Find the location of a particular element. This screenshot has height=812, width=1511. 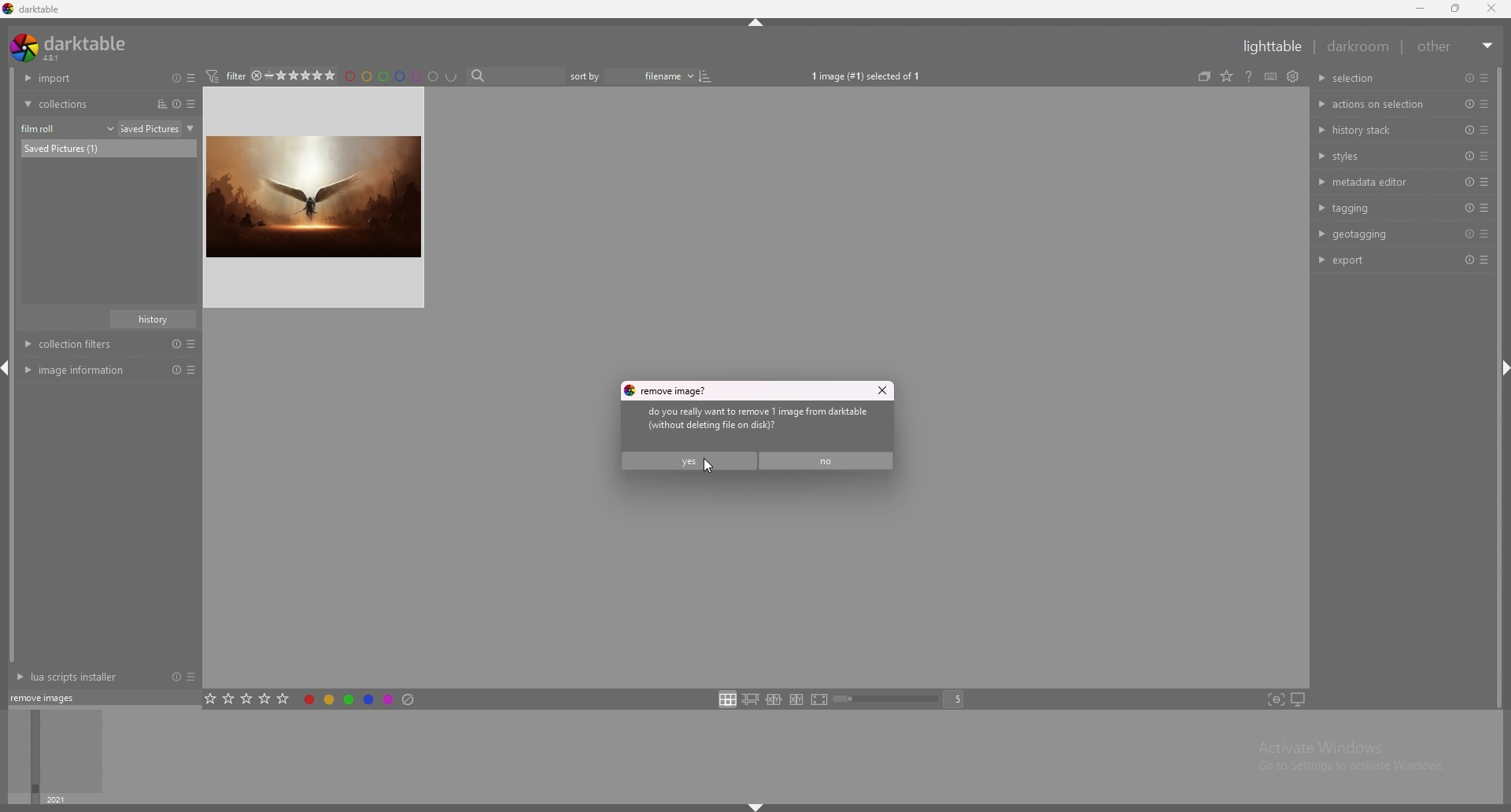

reset is located at coordinates (1469, 156).